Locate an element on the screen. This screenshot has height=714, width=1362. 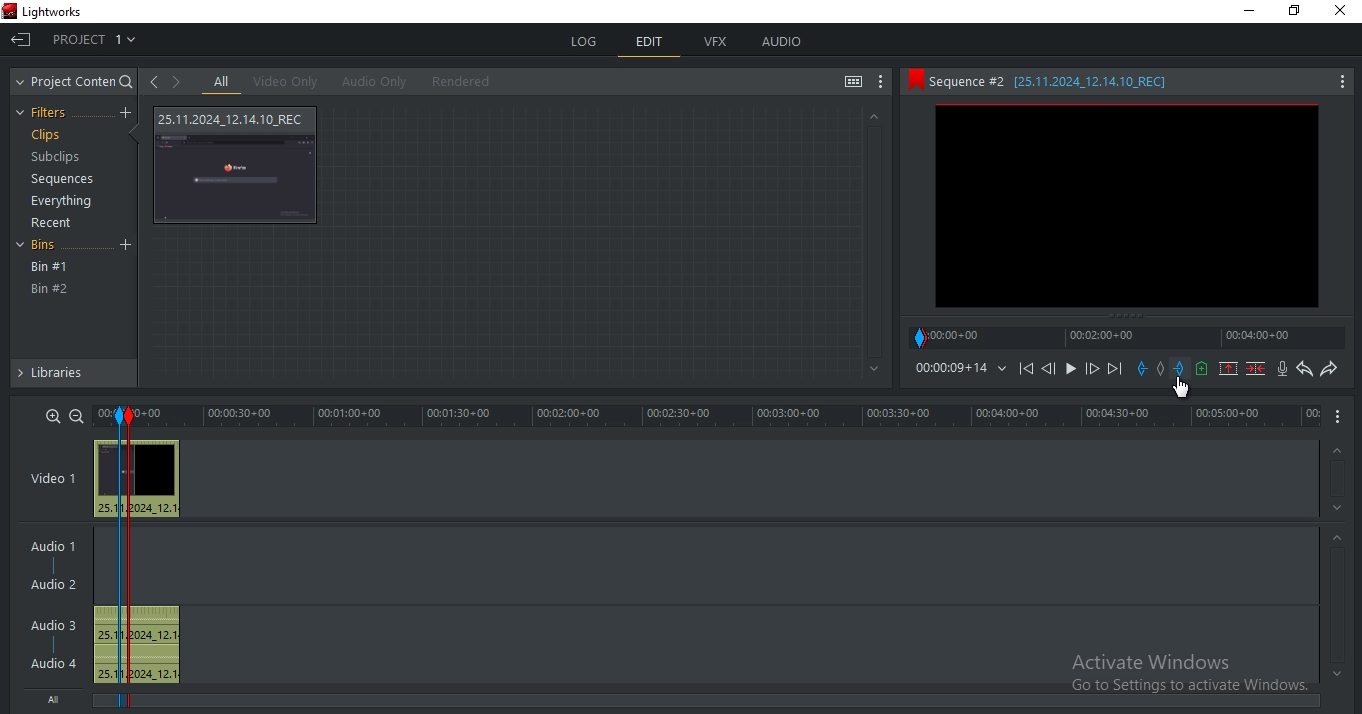
video is located at coordinates (138, 479).